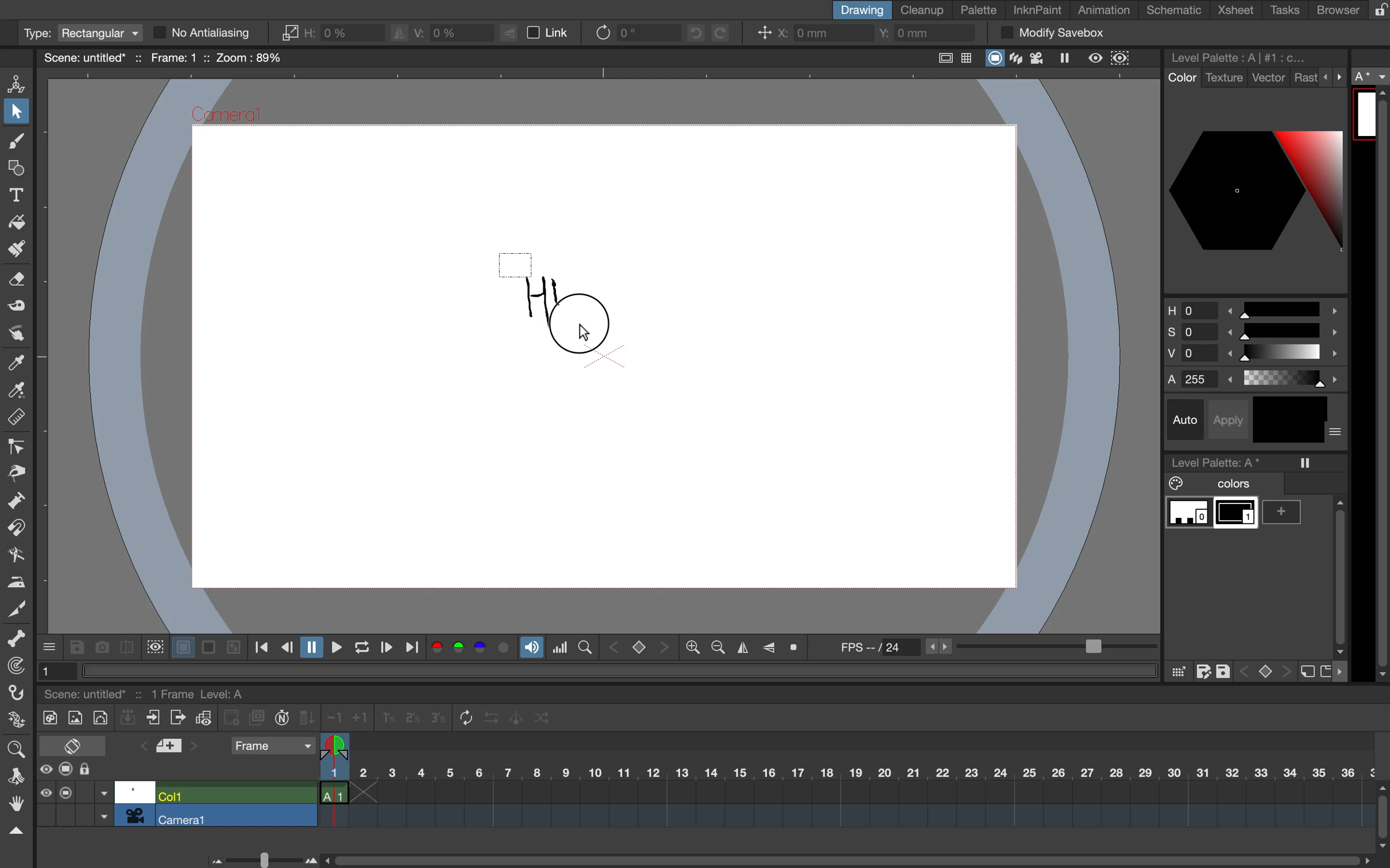 This screenshot has width=1390, height=868. I want to click on new style, so click(1306, 672).